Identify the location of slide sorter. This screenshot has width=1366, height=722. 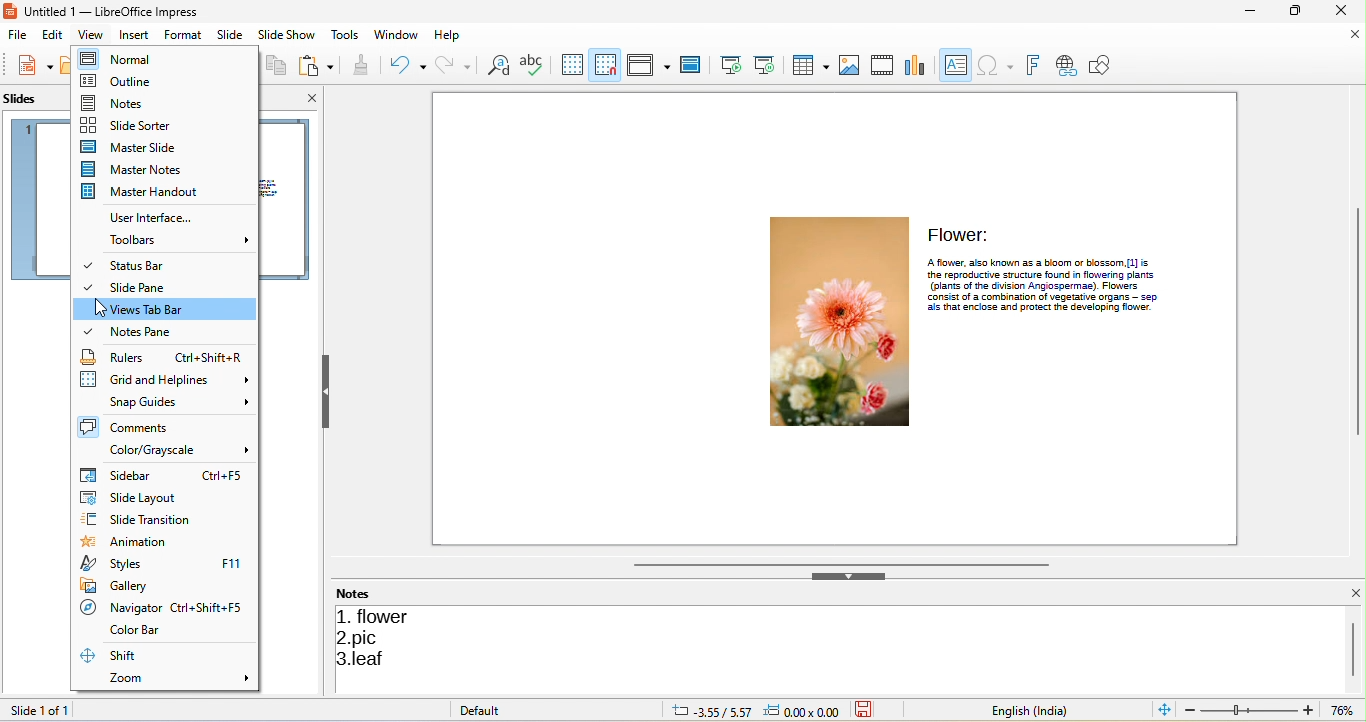
(133, 125).